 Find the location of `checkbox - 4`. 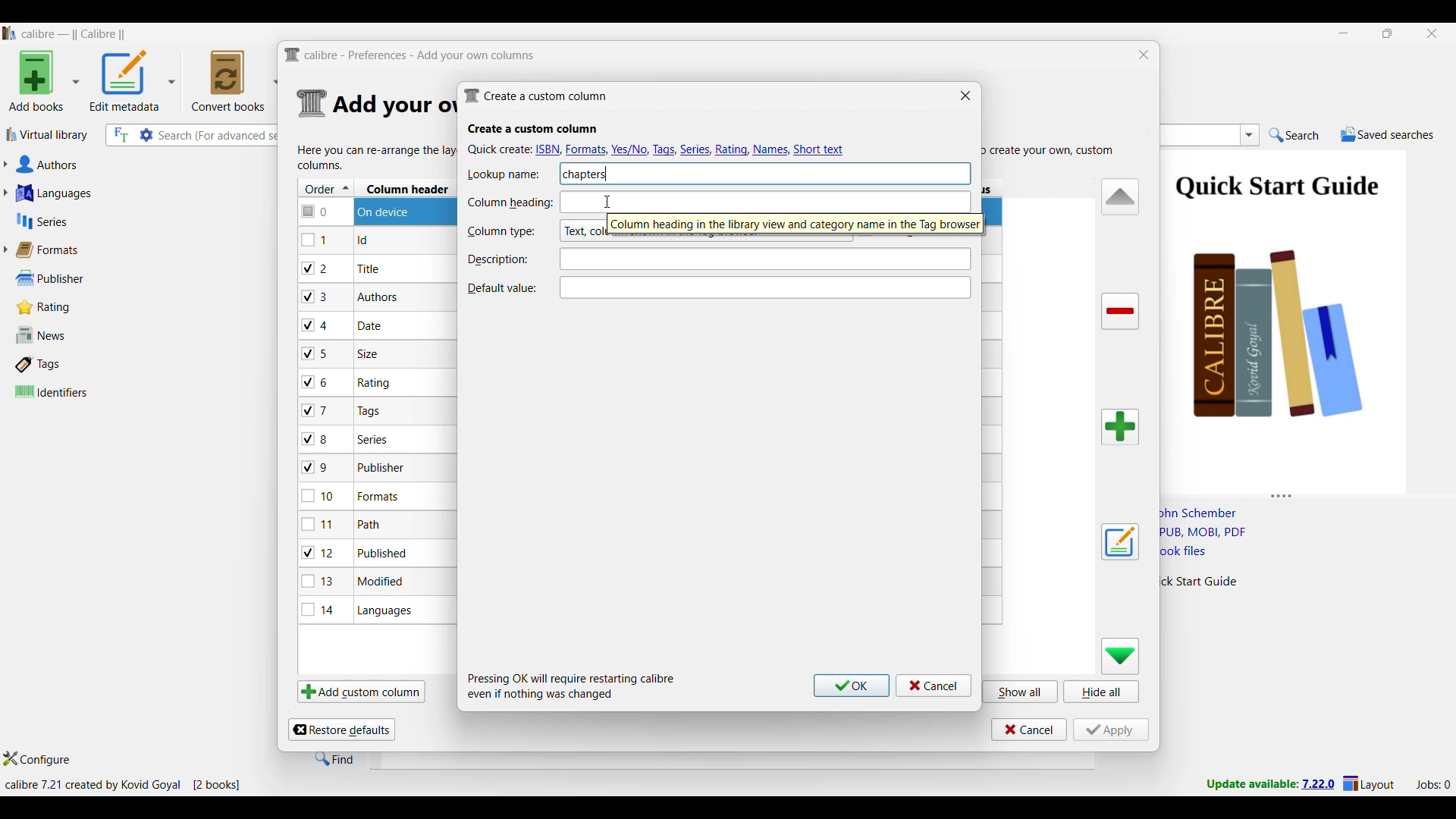

checkbox - 4 is located at coordinates (315, 325).